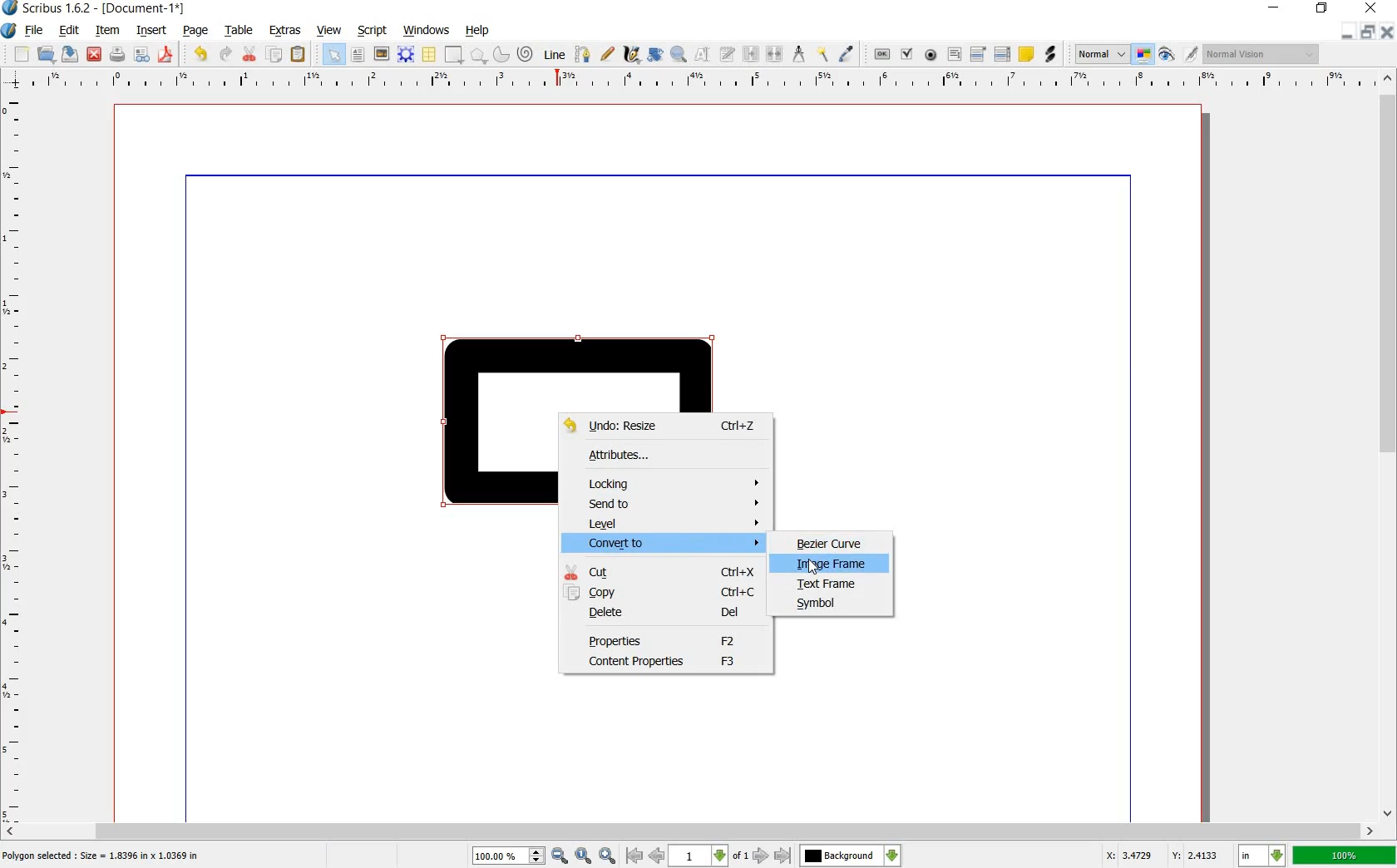 Image resolution: width=1397 pixels, height=868 pixels. What do you see at coordinates (525, 53) in the screenshot?
I see `spiral` at bounding box center [525, 53].